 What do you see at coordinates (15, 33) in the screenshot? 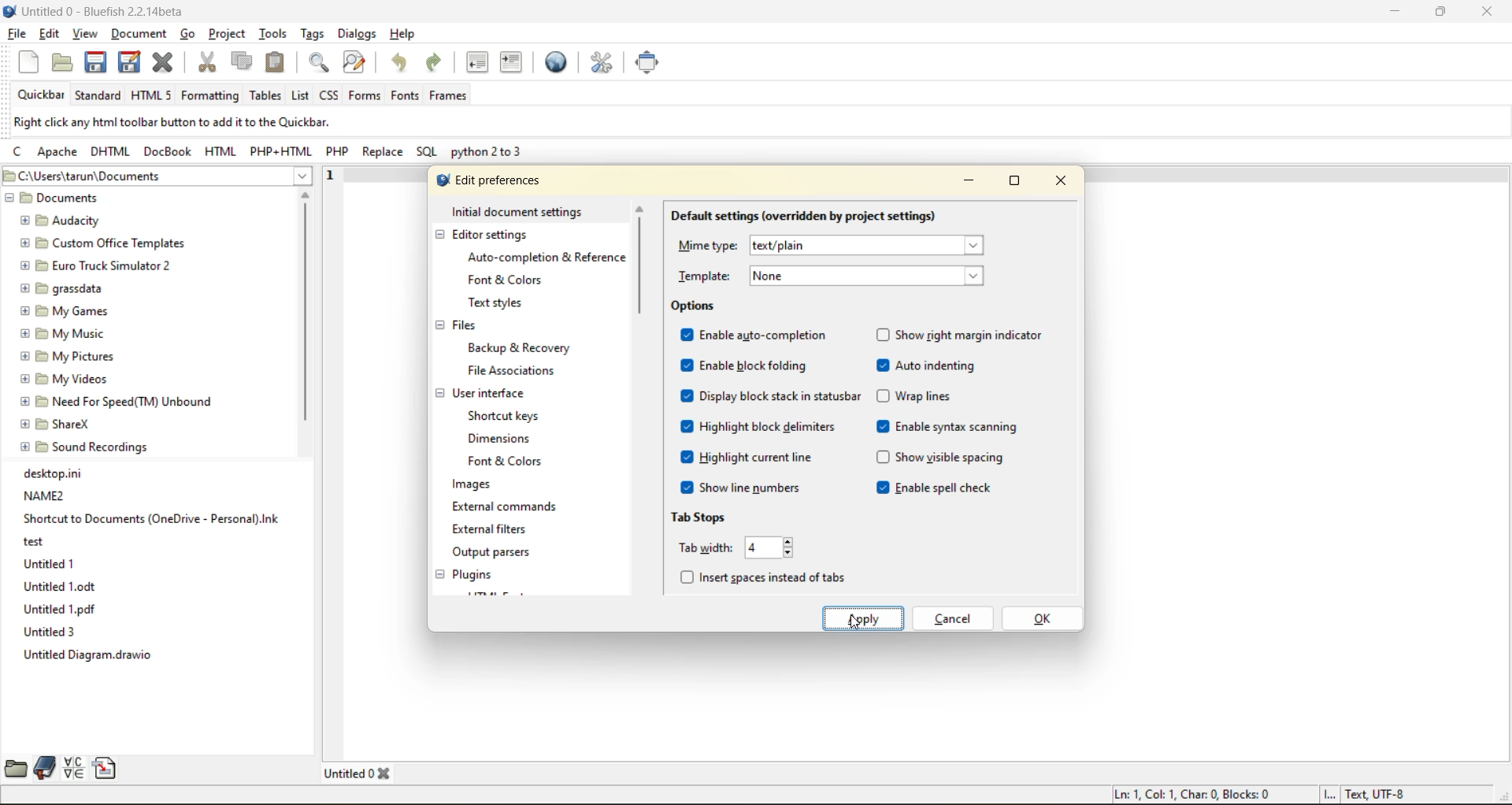
I see `file` at bounding box center [15, 33].